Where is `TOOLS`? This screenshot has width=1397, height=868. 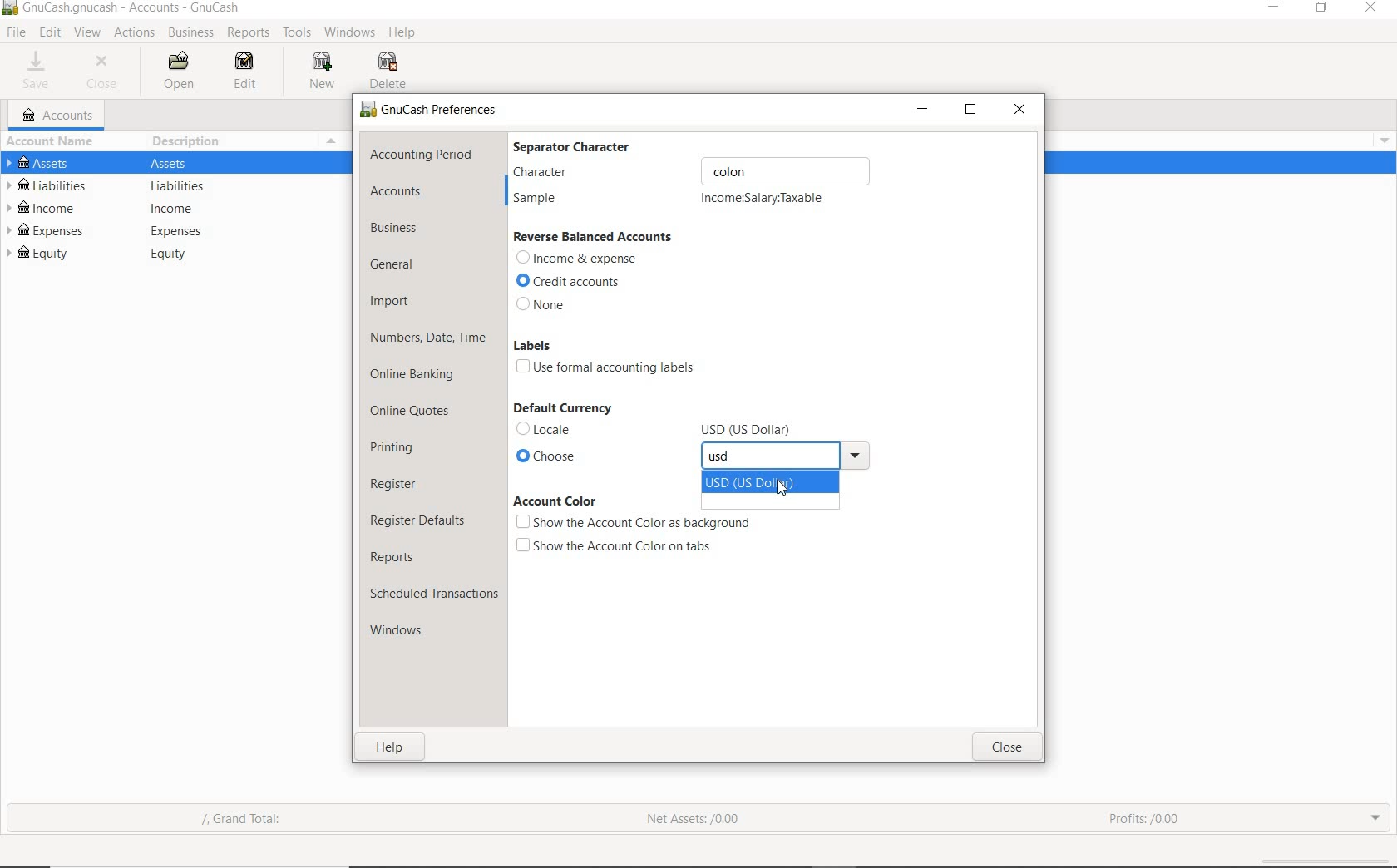 TOOLS is located at coordinates (295, 33).